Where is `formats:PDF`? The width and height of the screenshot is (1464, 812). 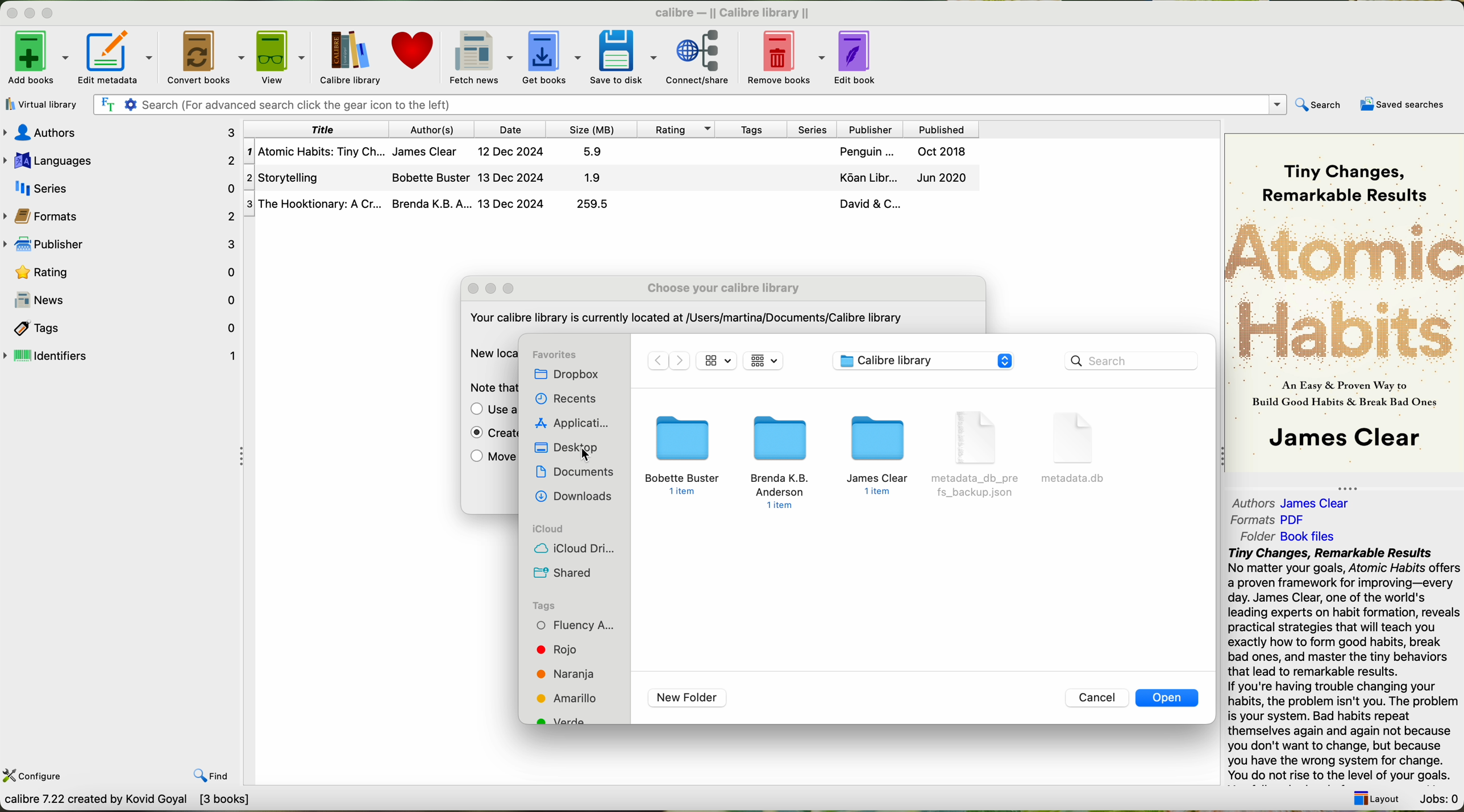
formats:PDF is located at coordinates (1272, 520).